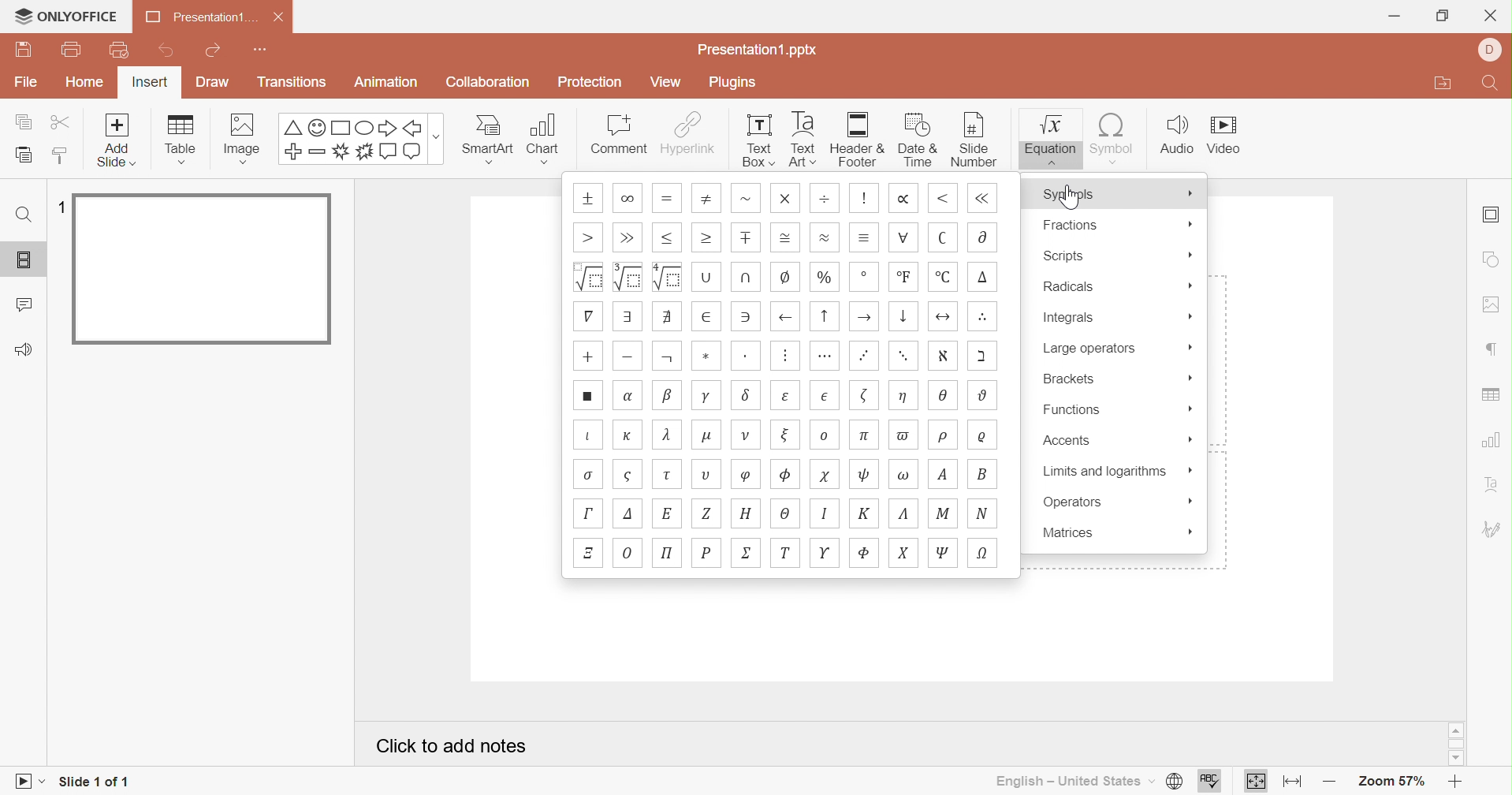 This screenshot has height=795, width=1512. Describe the element at coordinates (213, 84) in the screenshot. I see `Draw` at that location.